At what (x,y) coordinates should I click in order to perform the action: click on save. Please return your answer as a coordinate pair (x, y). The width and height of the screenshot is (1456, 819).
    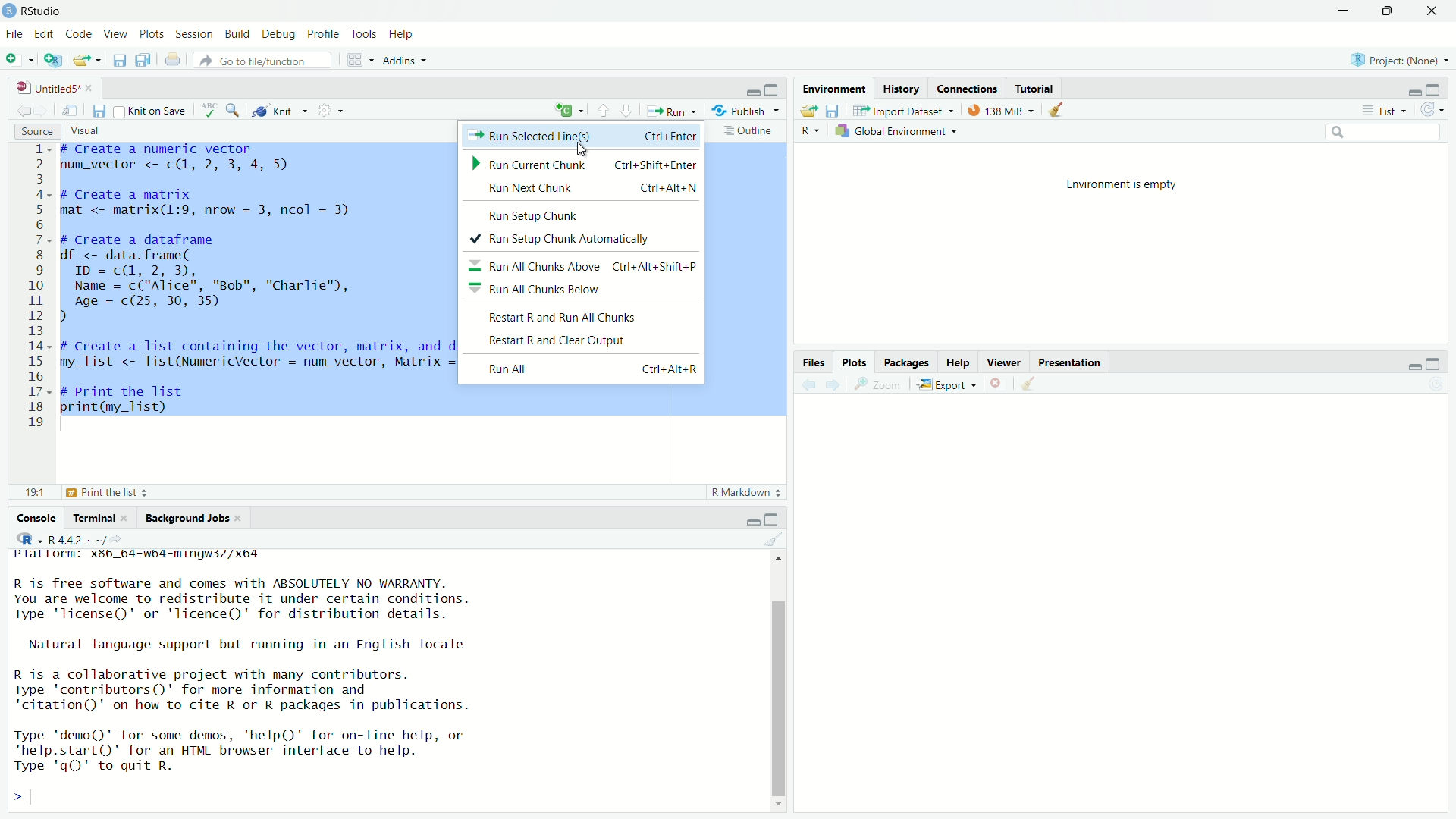
    Looking at the image, I should click on (118, 63).